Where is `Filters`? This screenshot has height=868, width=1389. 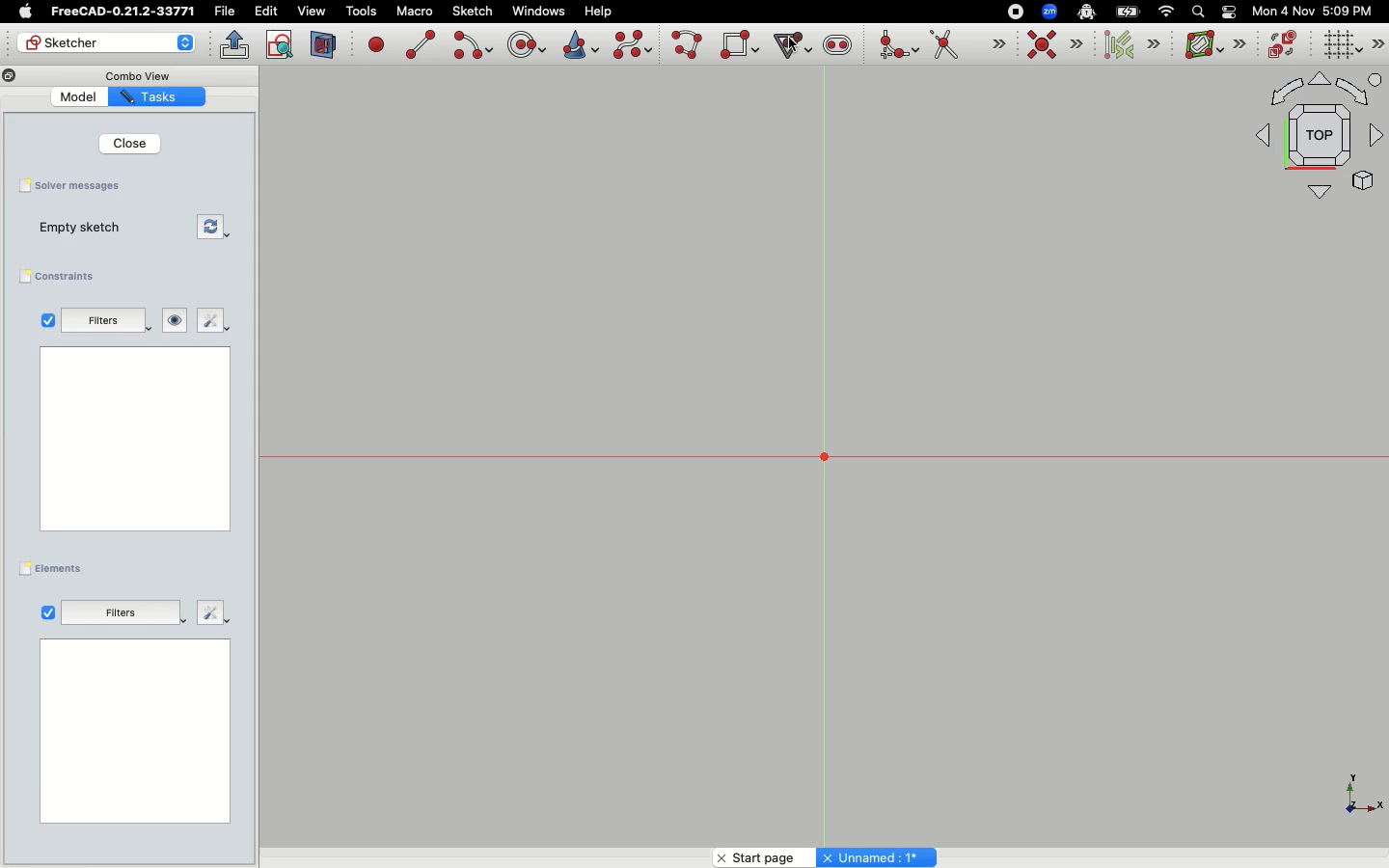 Filters is located at coordinates (129, 610).